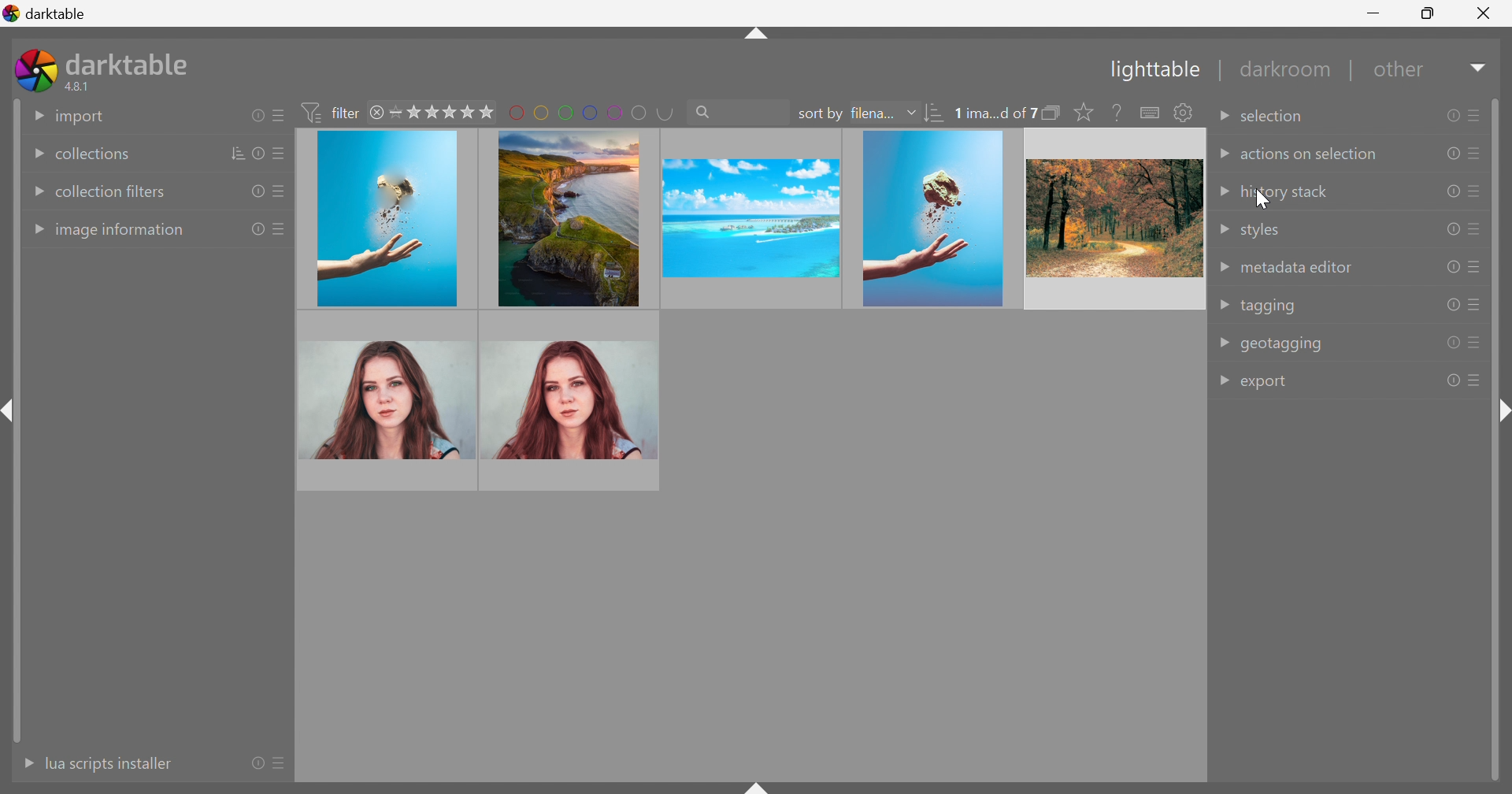 Image resolution: width=1512 pixels, height=794 pixels. Describe the element at coordinates (388, 400) in the screenshot. I see `image` at that location.